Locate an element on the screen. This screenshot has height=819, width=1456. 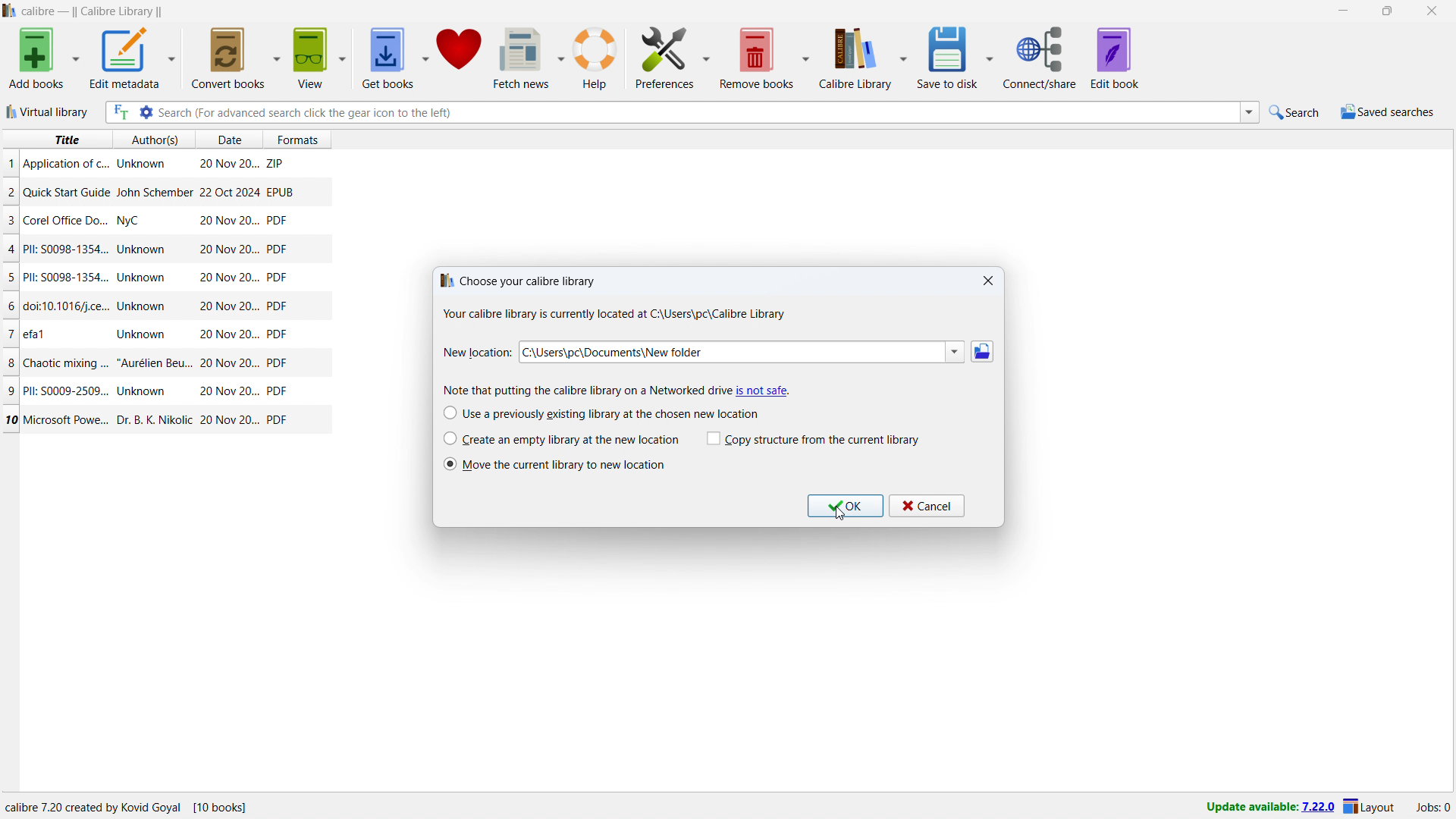
EPUB is located at coordinates (280, 191).